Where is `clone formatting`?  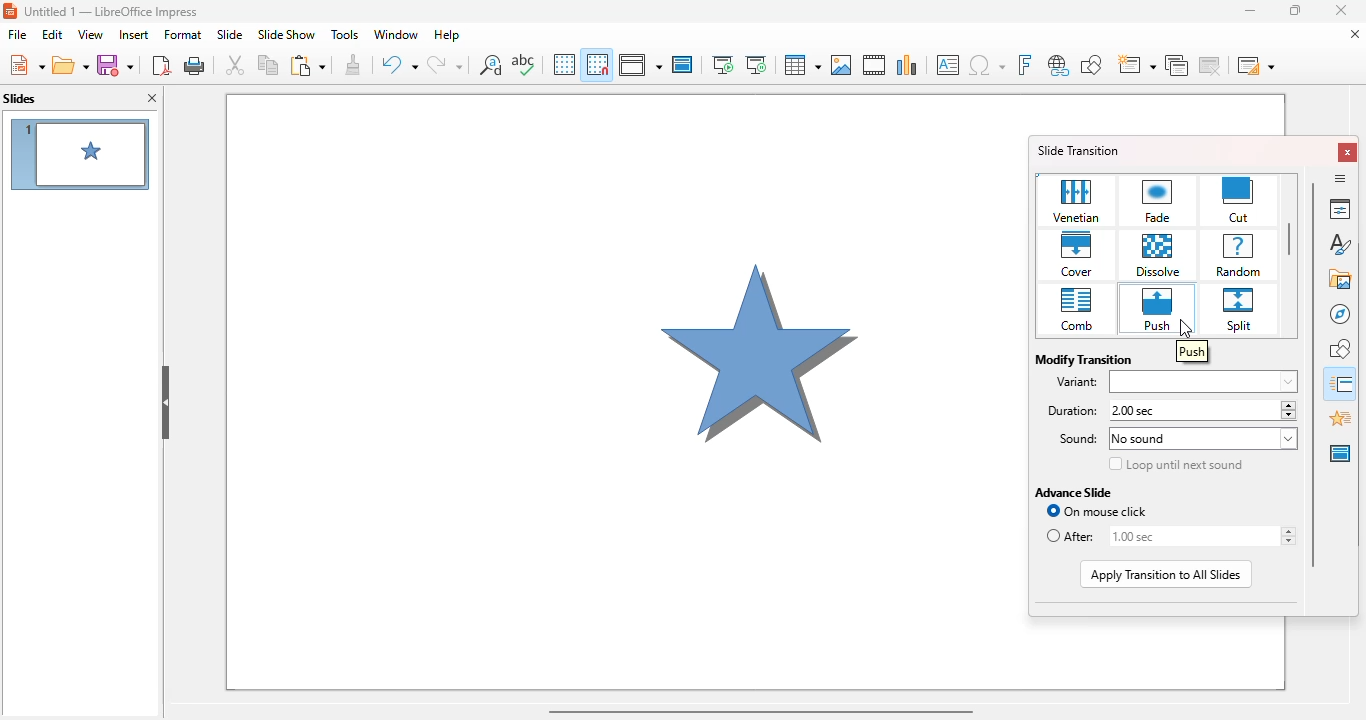
clone formatting is located at coordinates (354, 64).